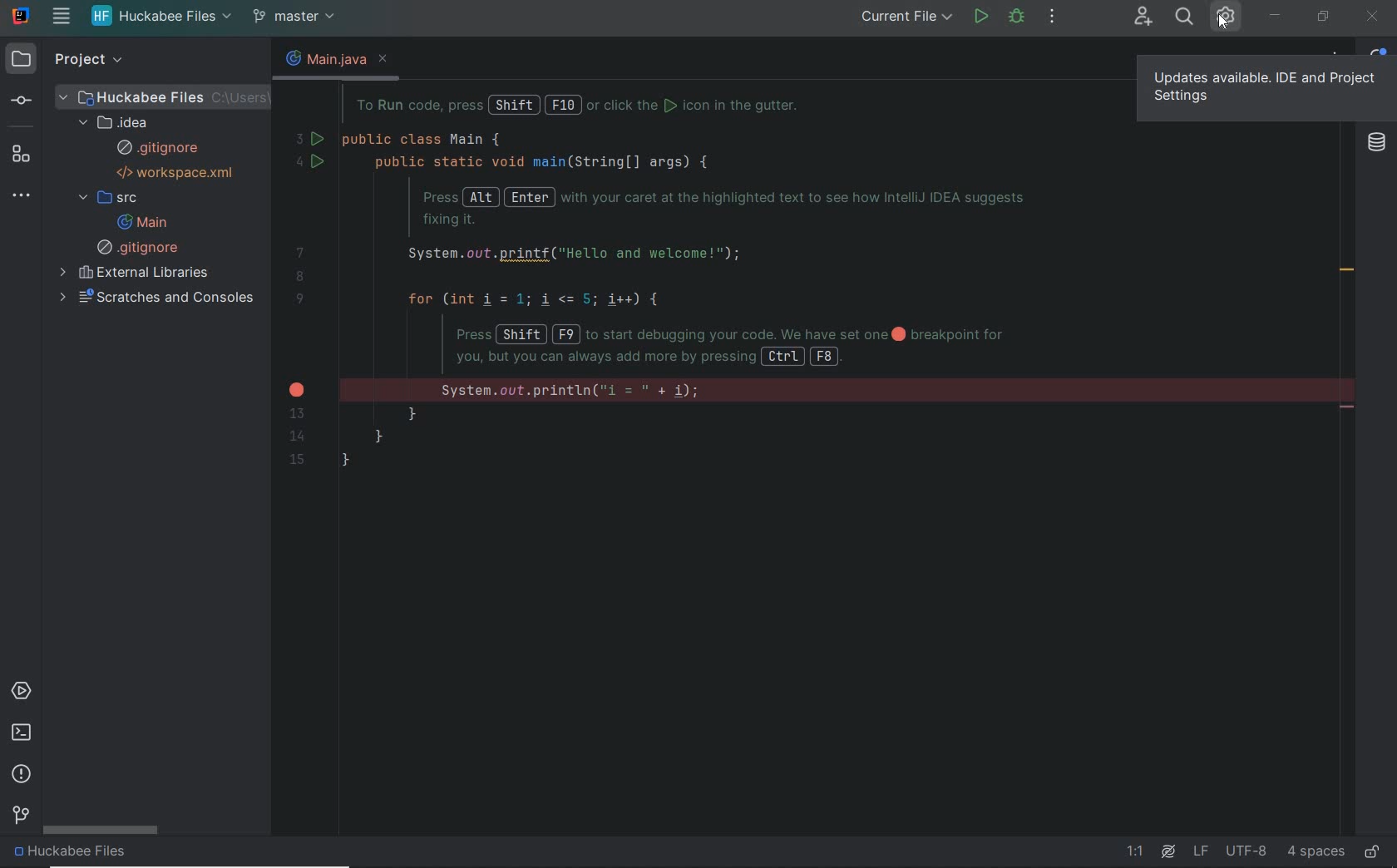 The height and width of the screenshot is (868, 1397). What do you see at coordinates (1316, 851) in the screenshot?
I see `indent` at bounding box center [1316, 851].